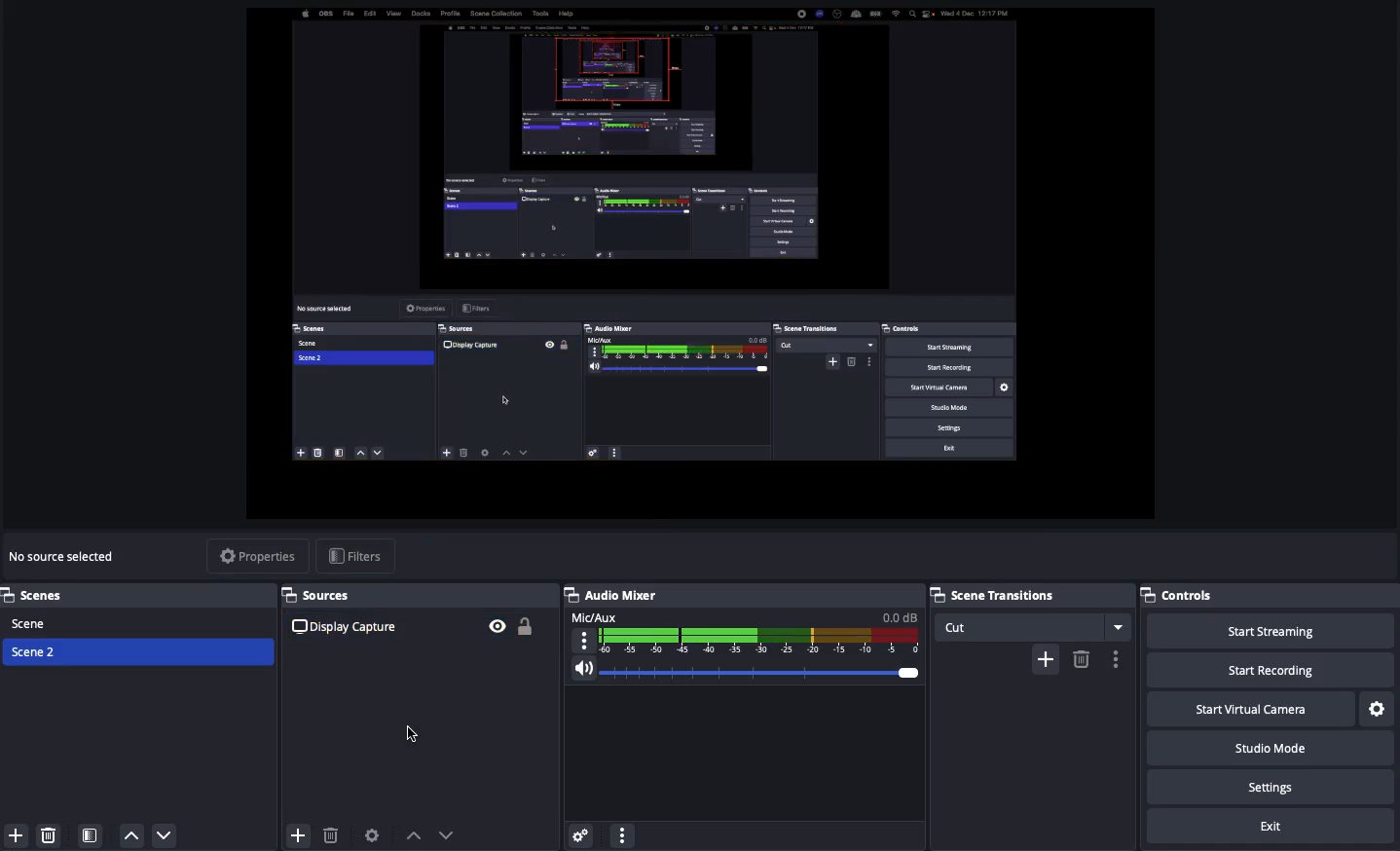 This screenshot has height=851, width=1400. Describe the element at coordinates (133, 836) in the screenshot. I see `Move up` at that location.